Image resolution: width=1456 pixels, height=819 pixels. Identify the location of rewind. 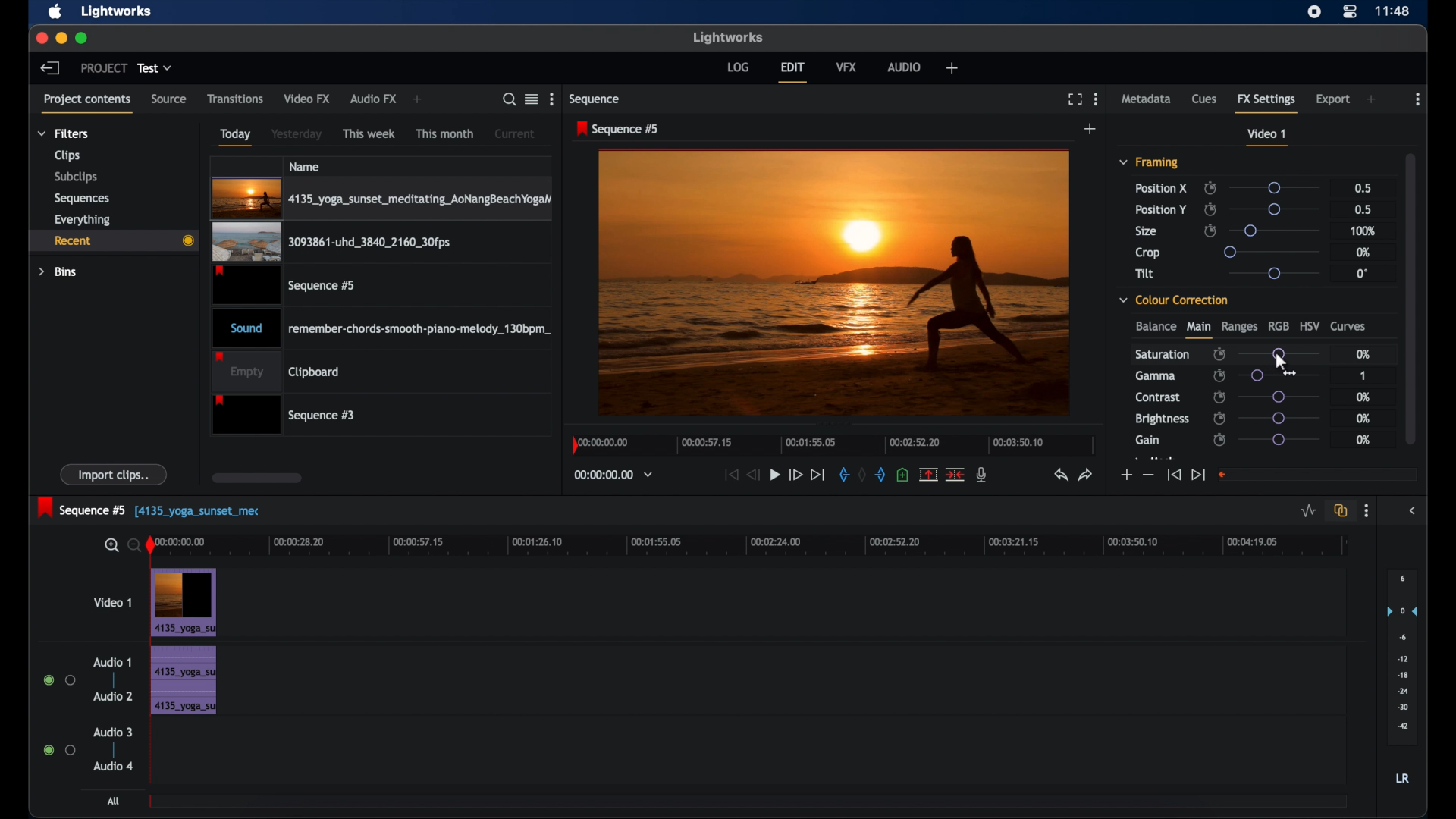
(755, 475).